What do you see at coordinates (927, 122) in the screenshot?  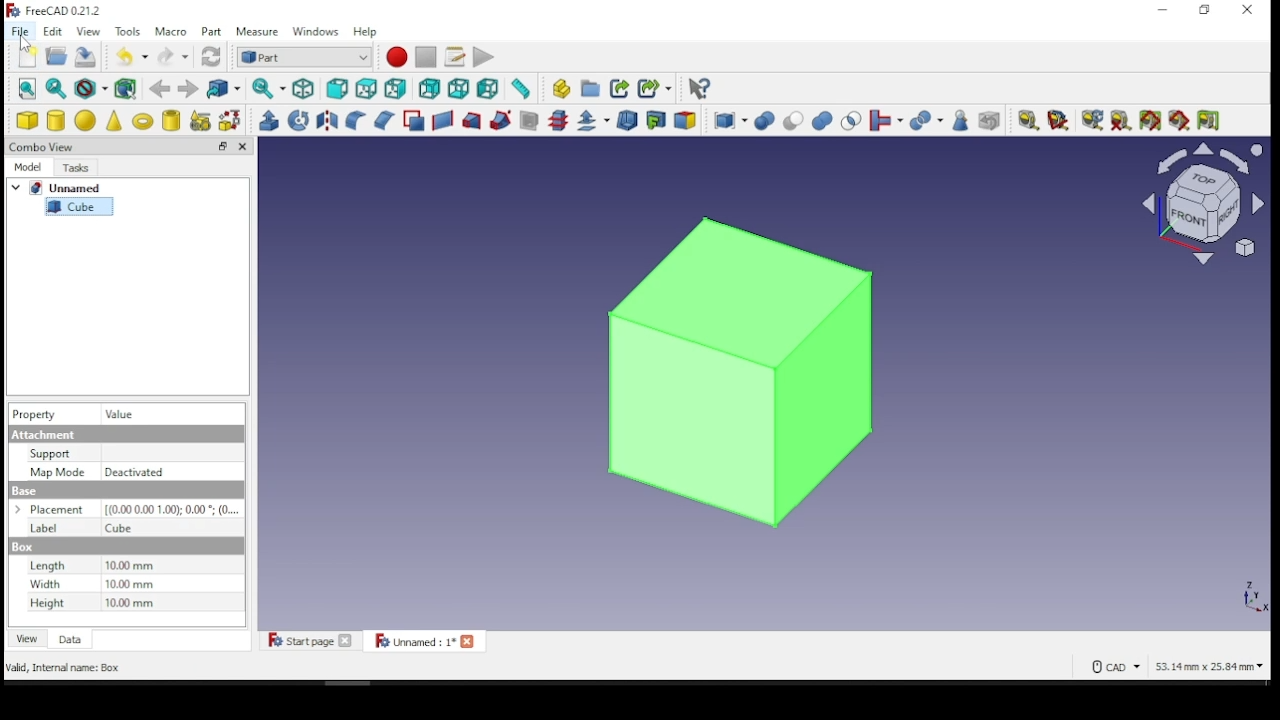 I see `split objects` at bounding box center [927, 122].